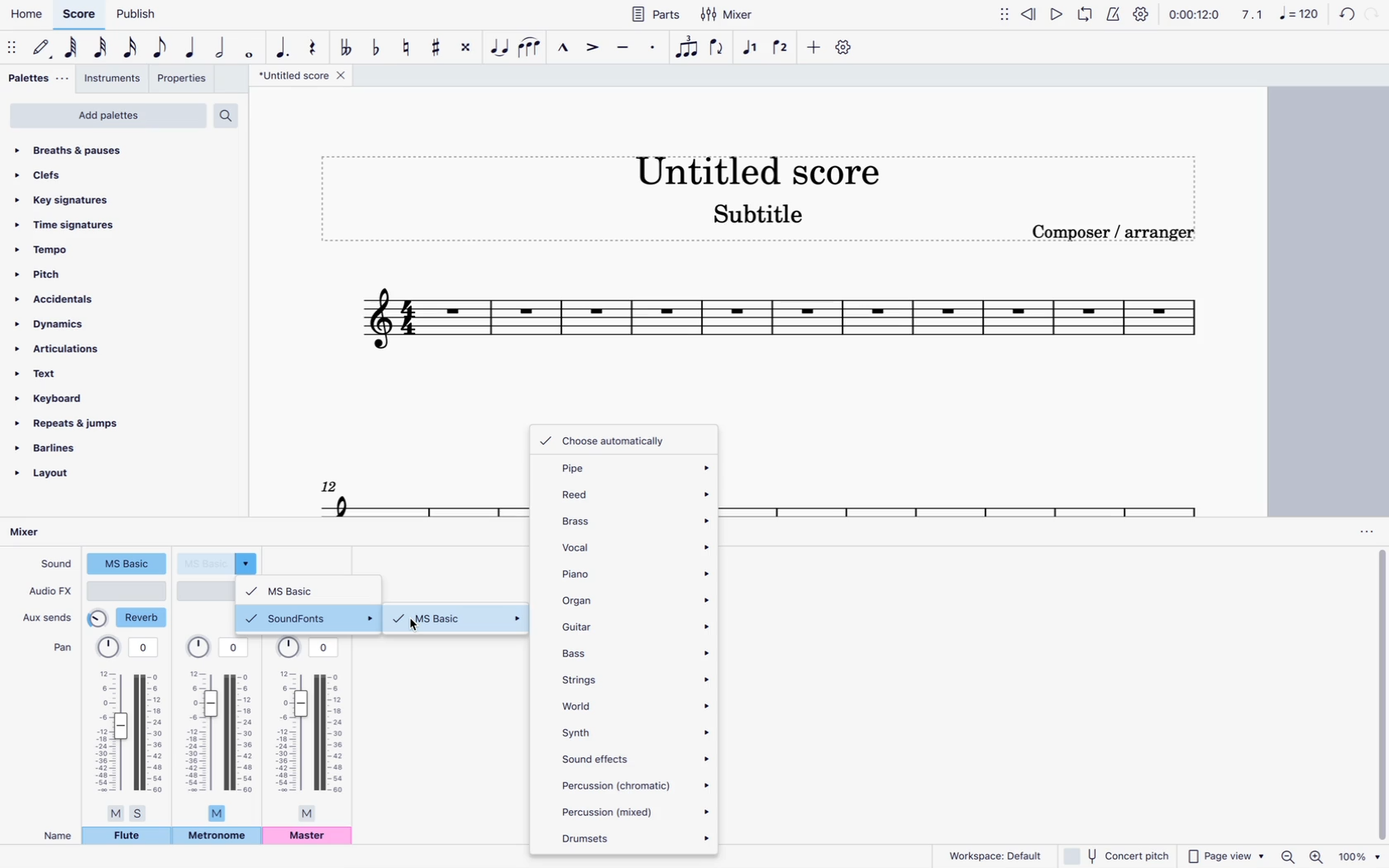 The width and height of the screenshot is (1389, 868). I want to click on page view, so click(1224, 856).